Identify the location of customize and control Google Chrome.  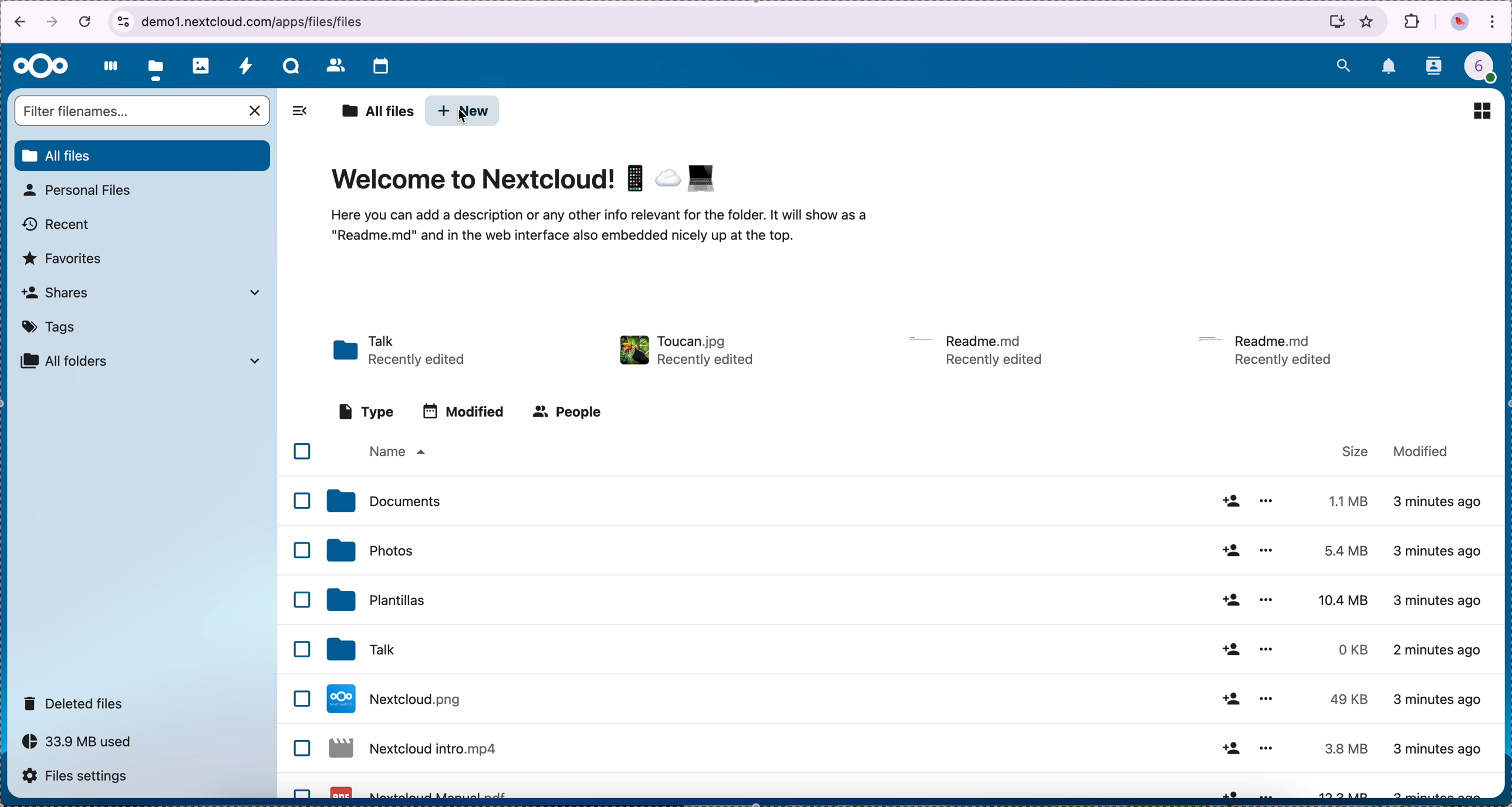
(1493, 23).